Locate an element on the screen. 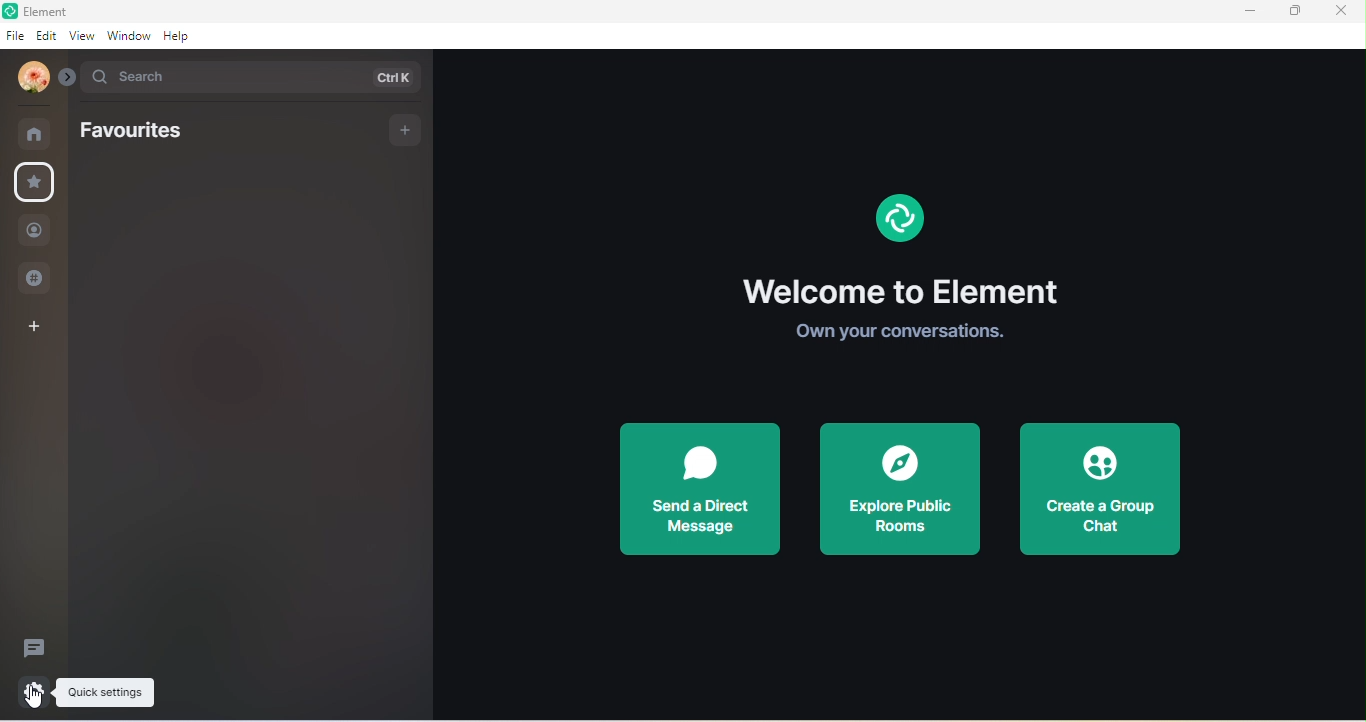 The image size is (1366, 722). file is located at coordinates (16, 38).